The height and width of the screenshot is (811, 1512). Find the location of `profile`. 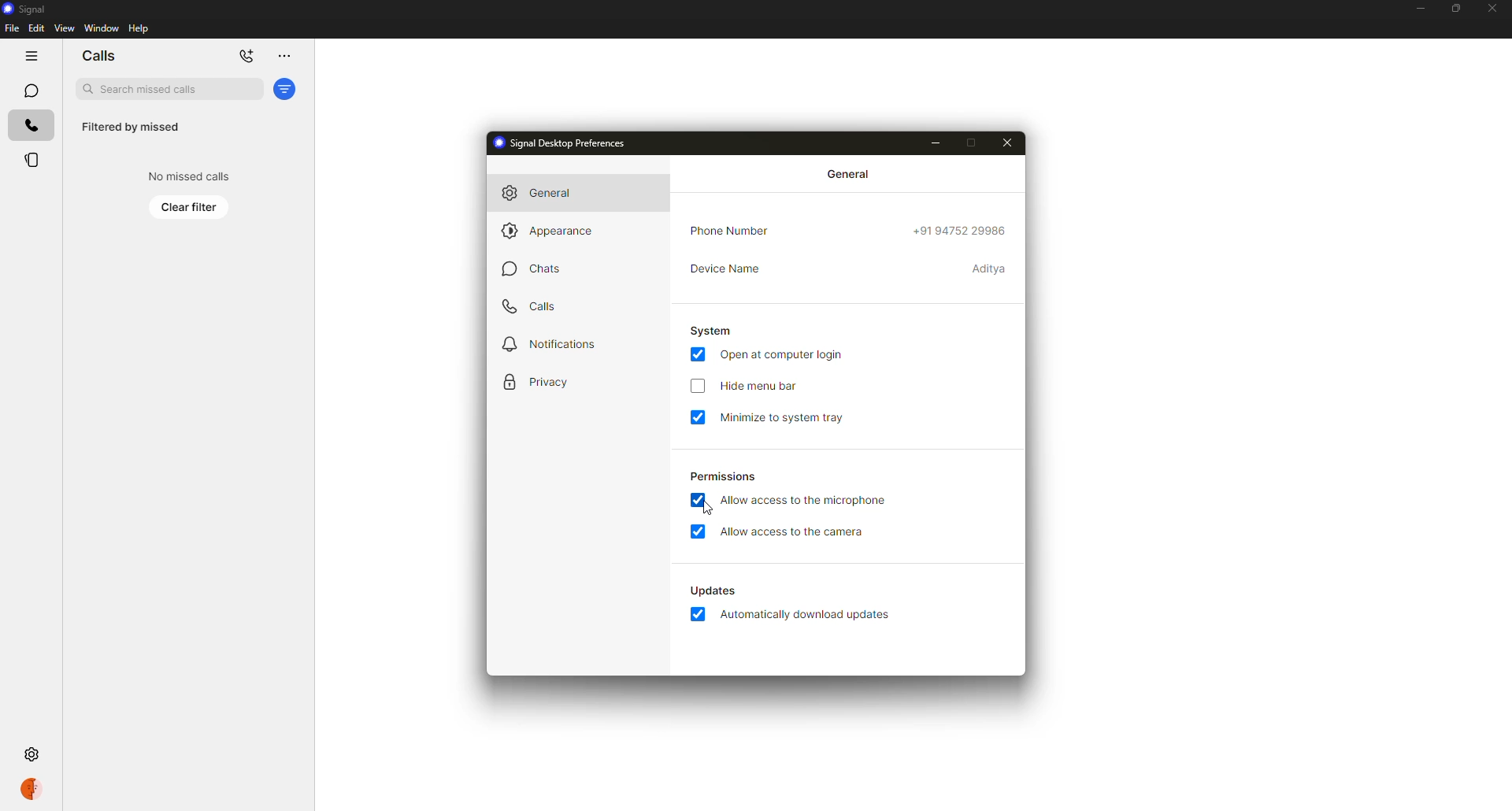

profile is located at coordinates (31, 791).